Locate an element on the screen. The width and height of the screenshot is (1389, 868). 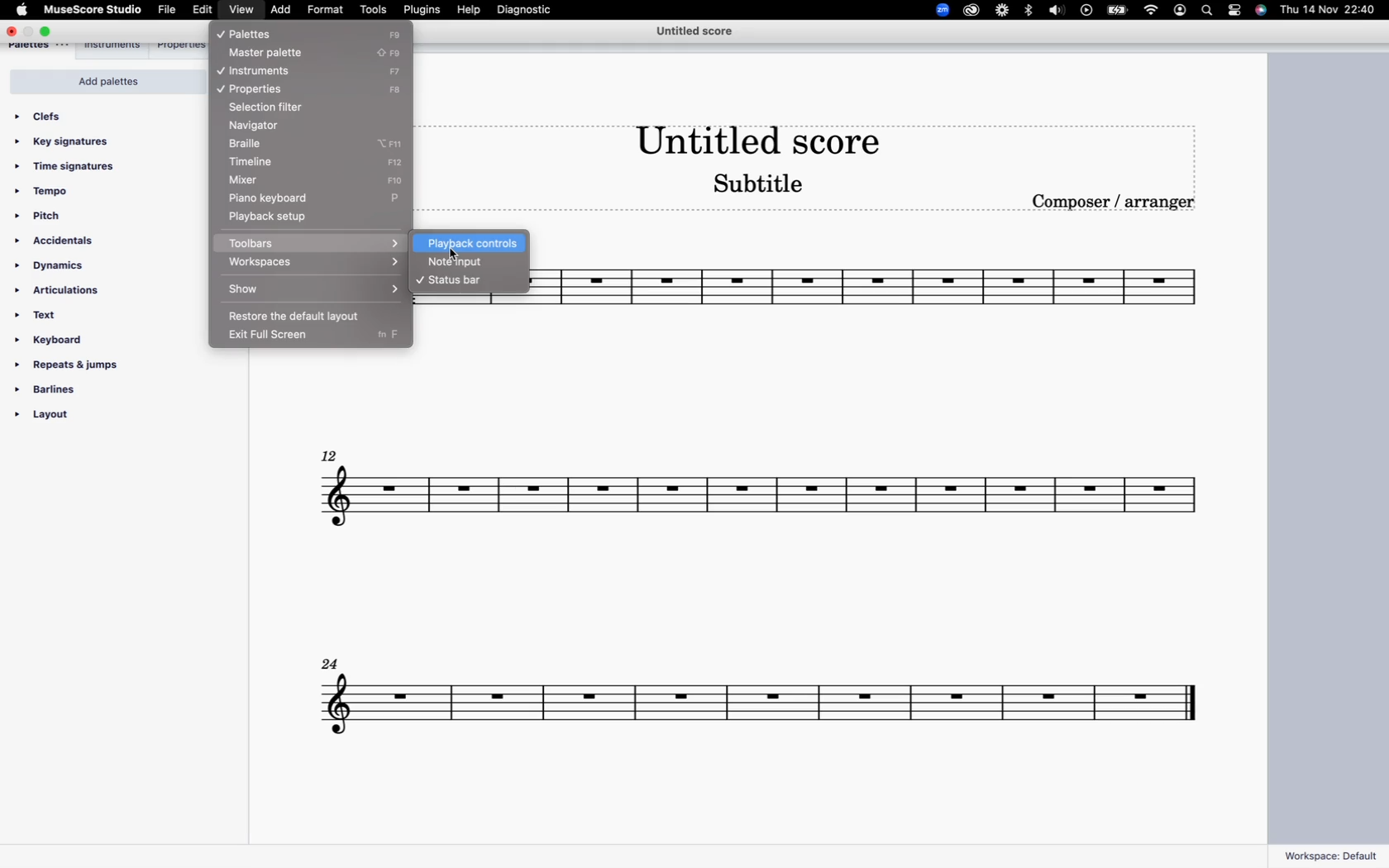
F12 is located at coordinates (402, 161).